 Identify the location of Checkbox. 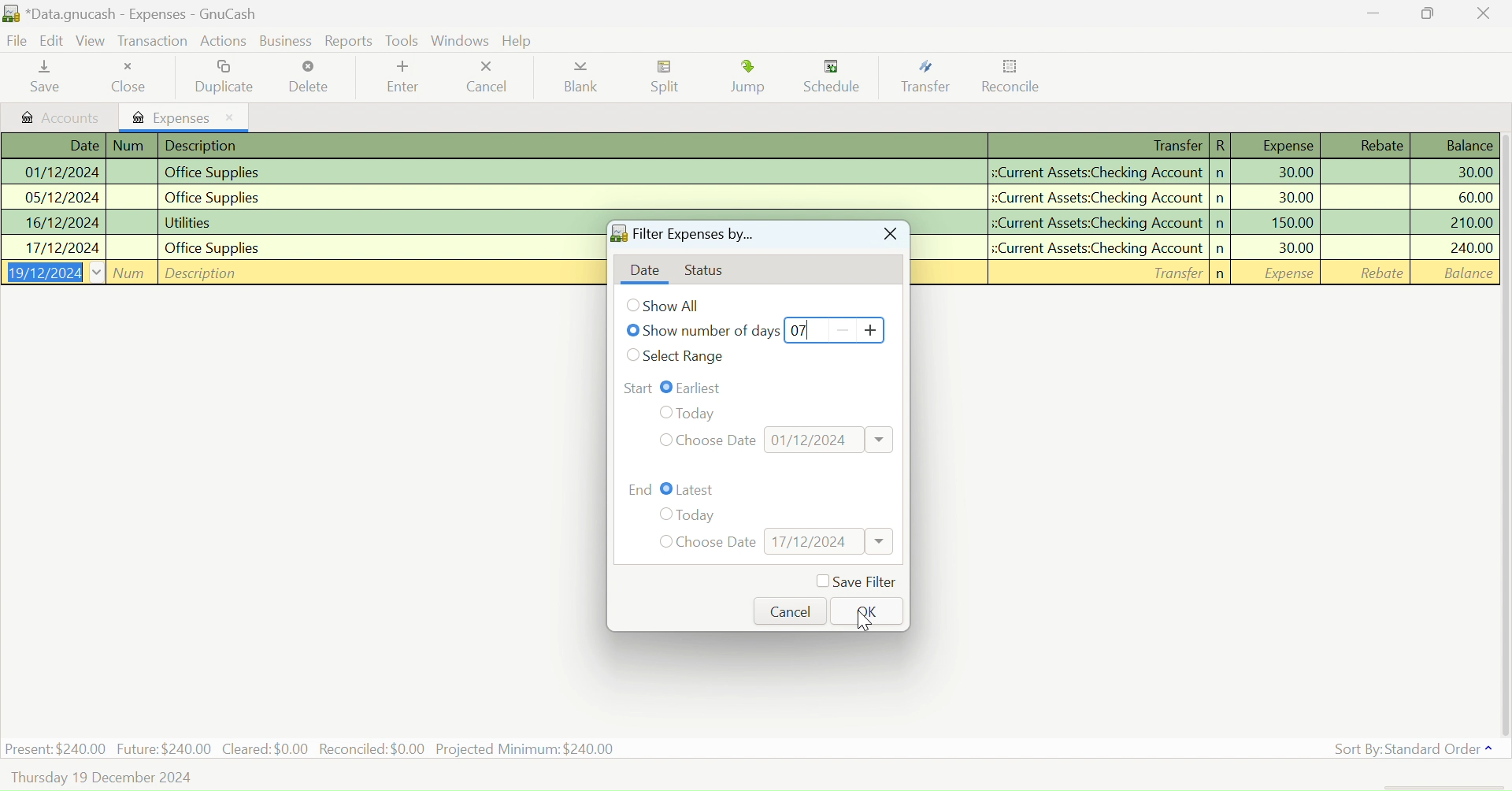
(633, 305).